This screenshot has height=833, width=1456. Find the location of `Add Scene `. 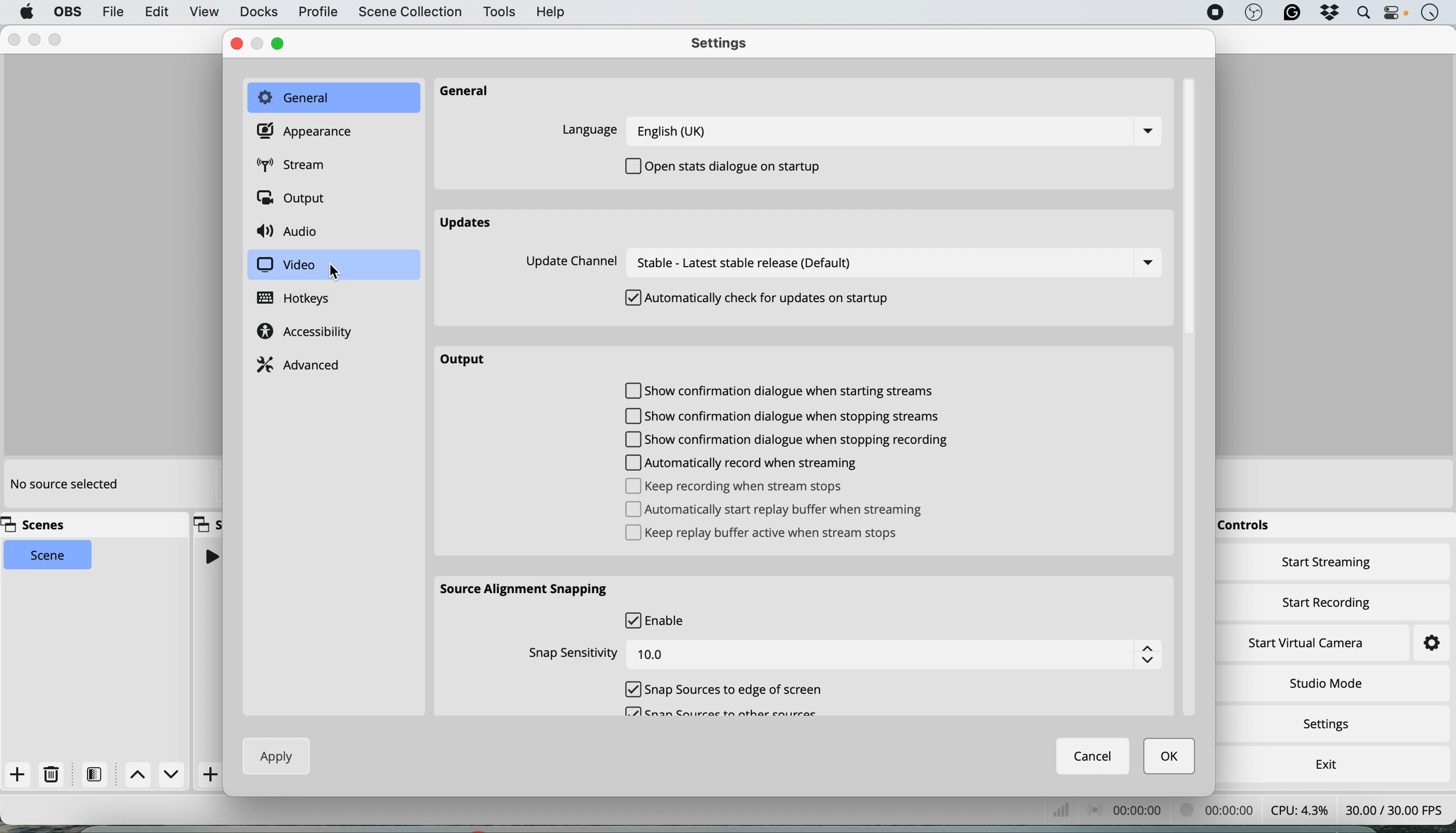

Add Scene  is located at coordinates (212, 775).